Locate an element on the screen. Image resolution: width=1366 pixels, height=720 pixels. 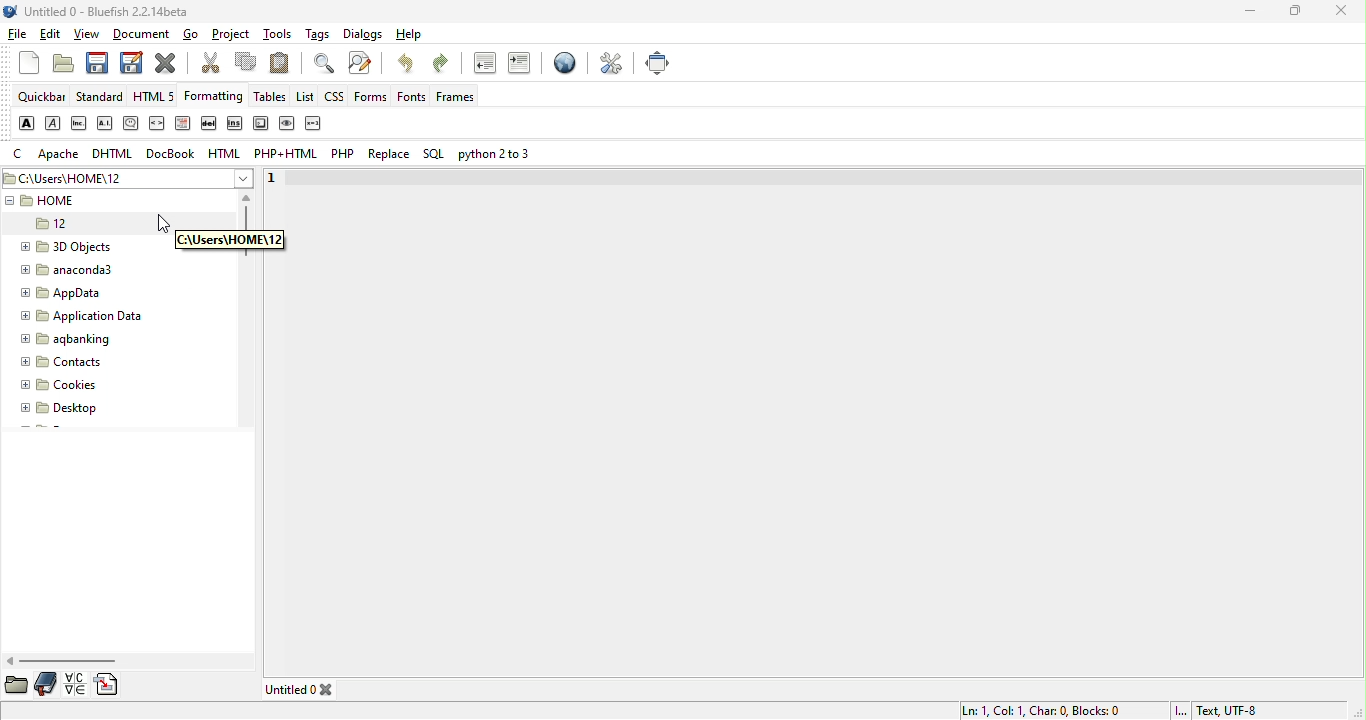
unindent is located at coordinates (485, 66).